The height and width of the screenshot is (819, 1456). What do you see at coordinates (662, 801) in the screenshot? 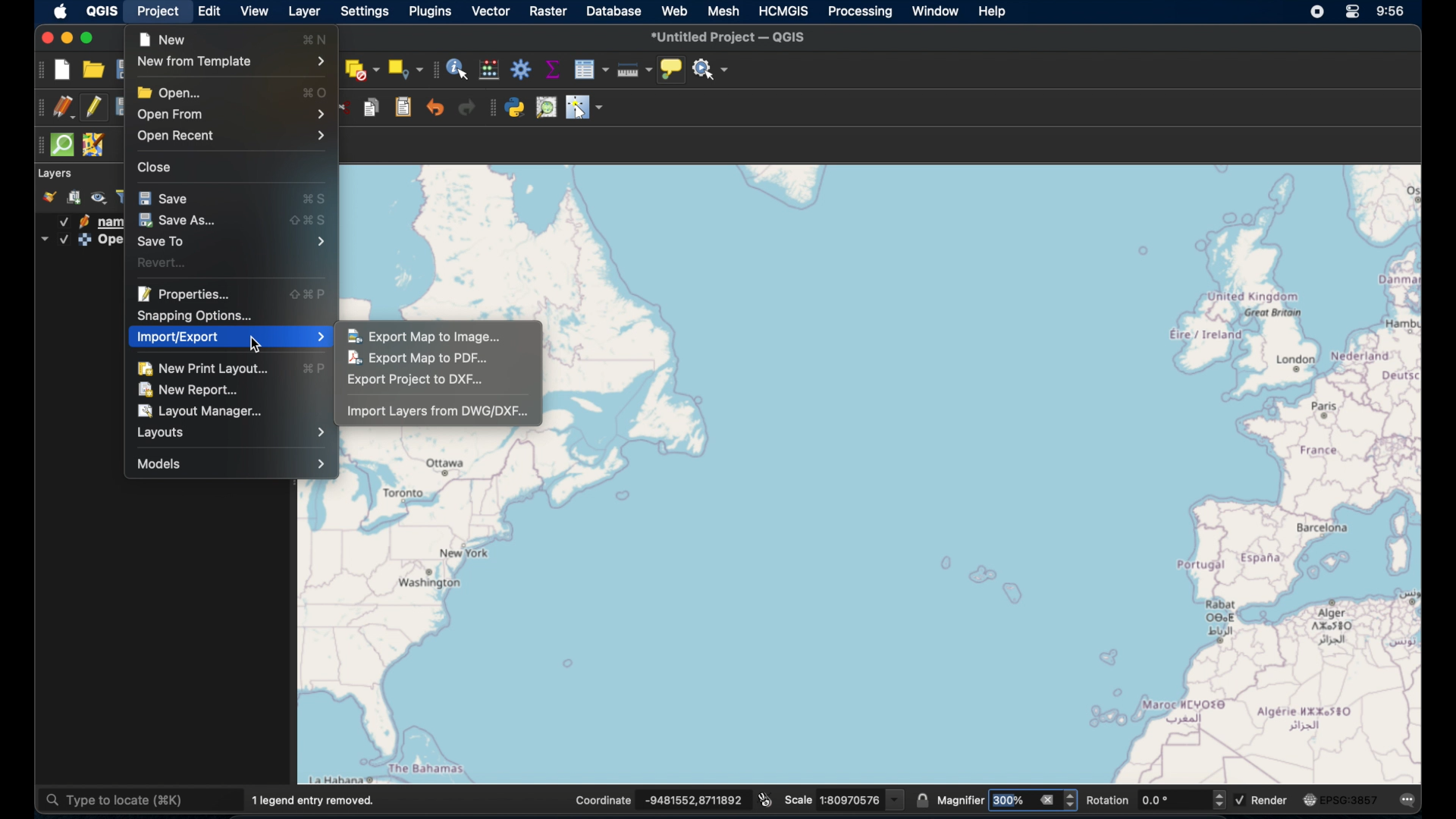
I see `coordinates` at bounding box center [662, 801].